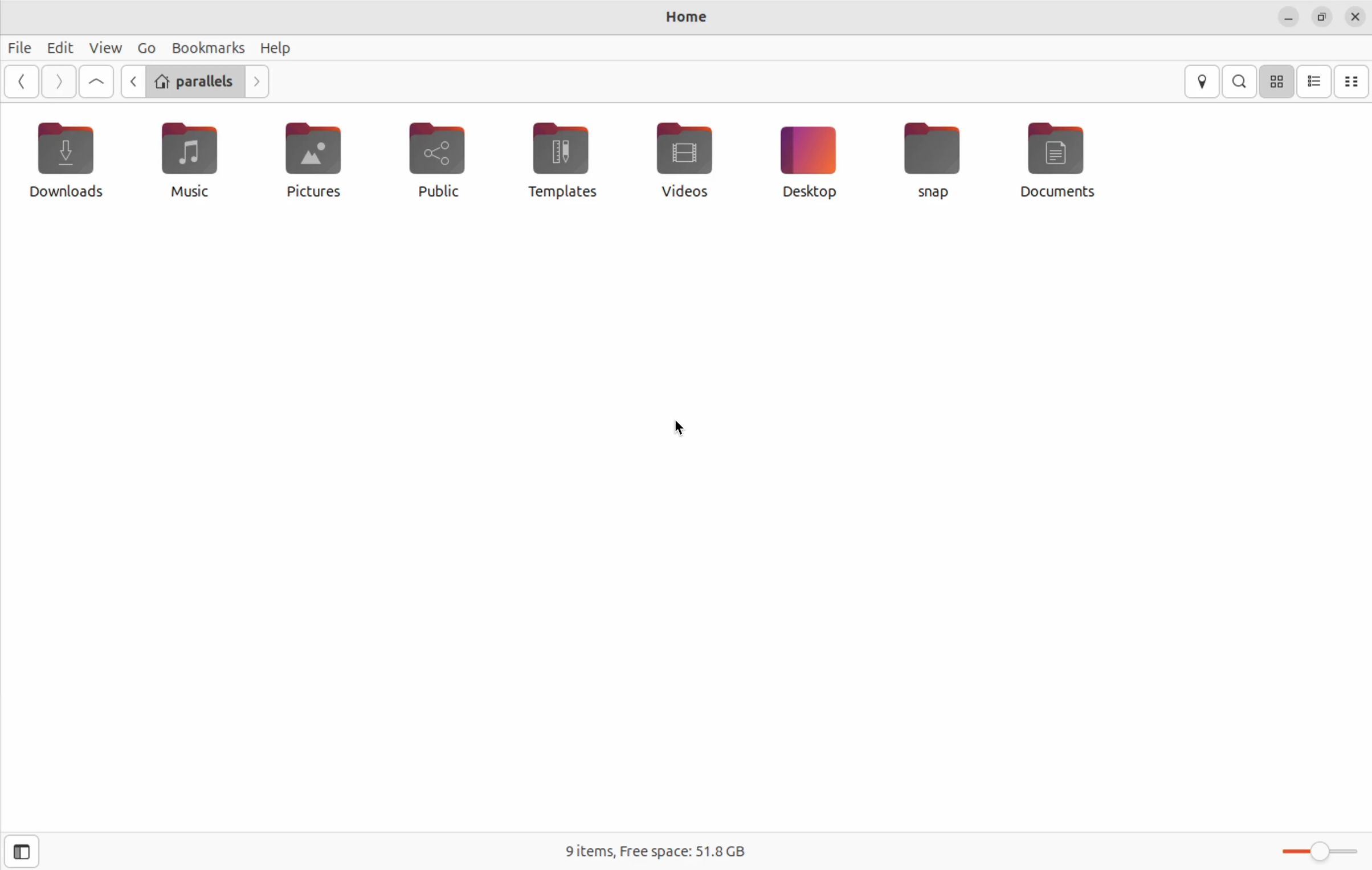  What do you see at coordinates (209, 46) in the screenshot?
I see `Bookmarks` at bounding box center [209, 46].